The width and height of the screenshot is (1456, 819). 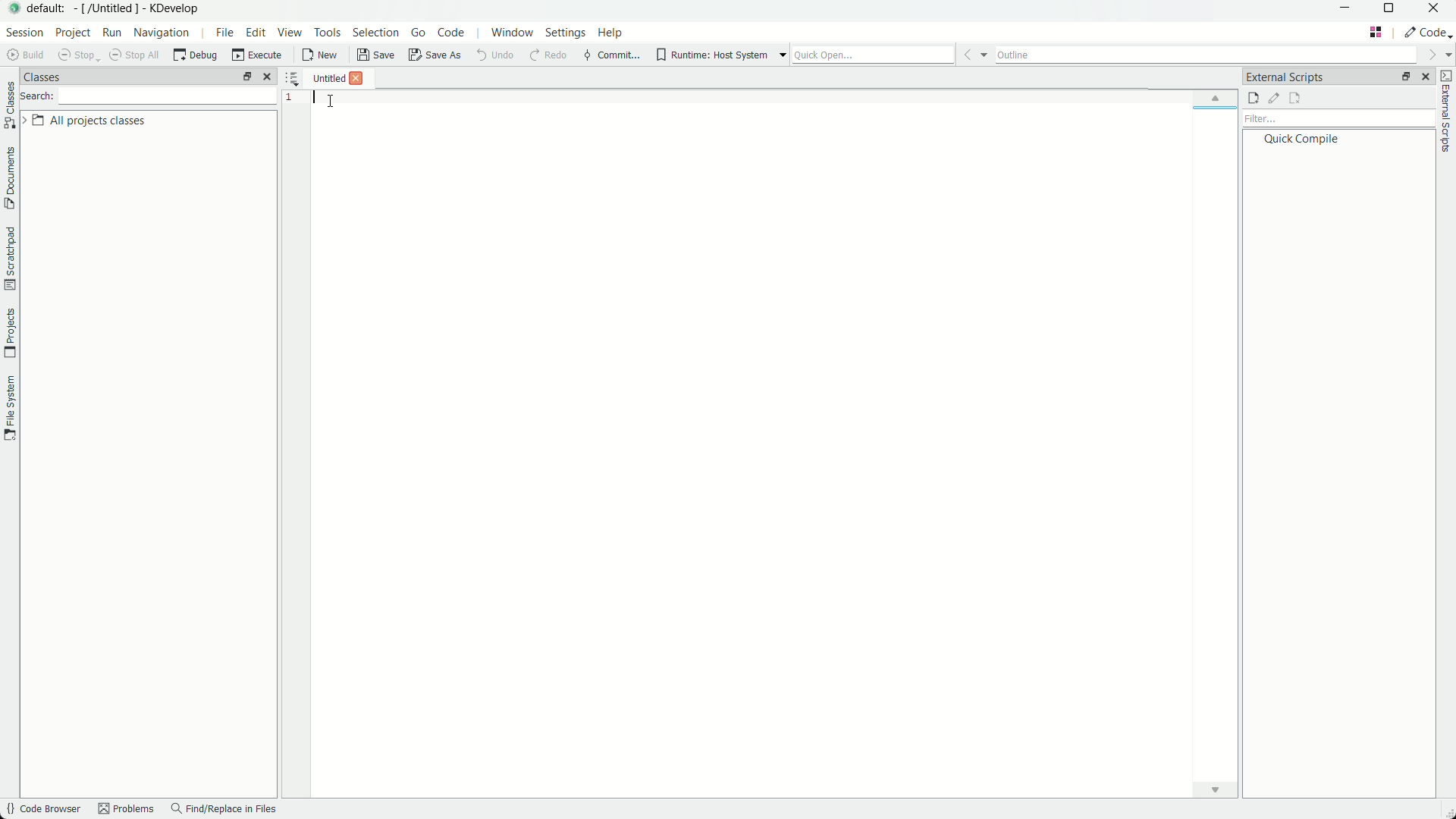 What do you see at coordinates (1375, 33) in the screenshot?
I see `change layout` at bounding box center [1375, 33].